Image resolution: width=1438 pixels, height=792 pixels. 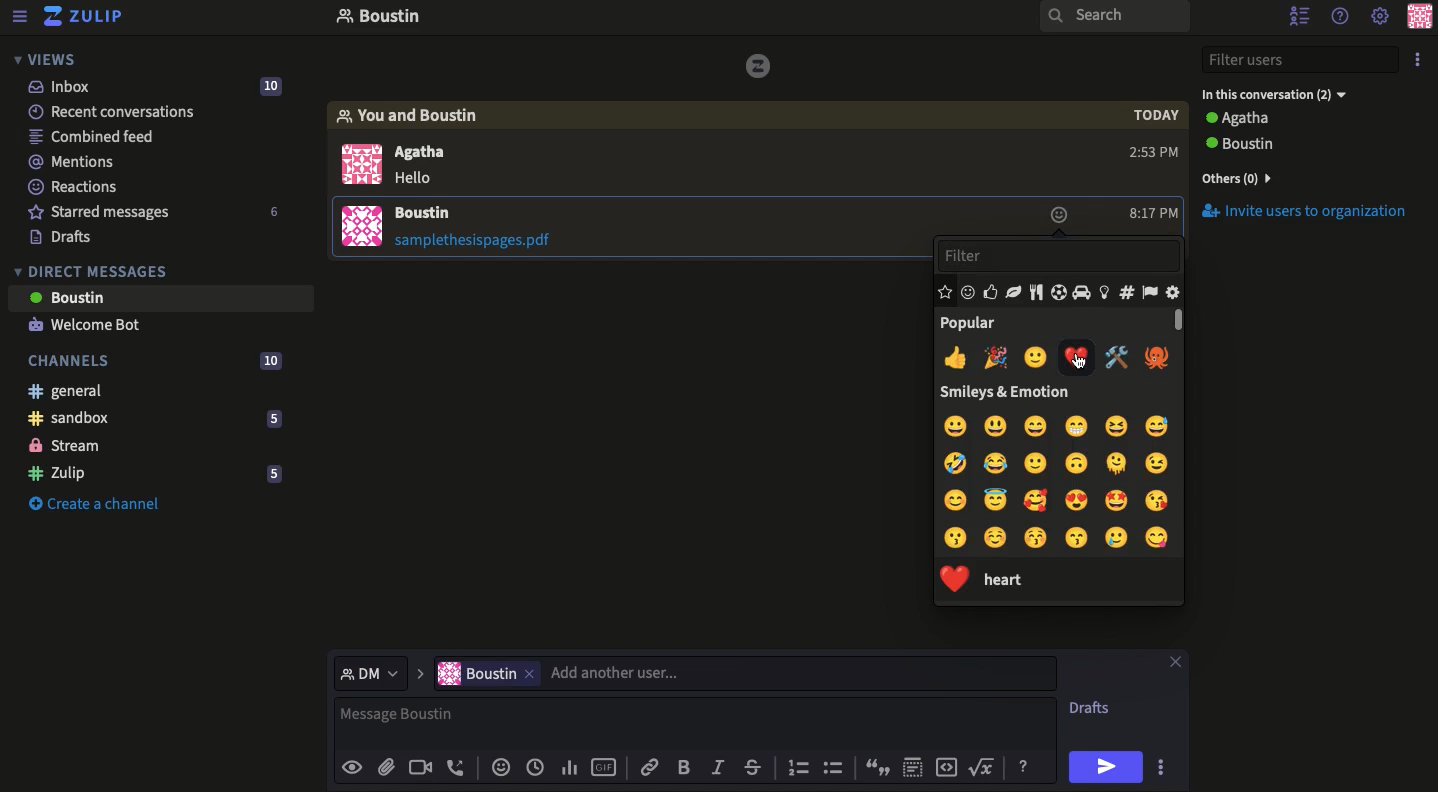 I want to click on Add reaction, so click(x=1060, y=217).